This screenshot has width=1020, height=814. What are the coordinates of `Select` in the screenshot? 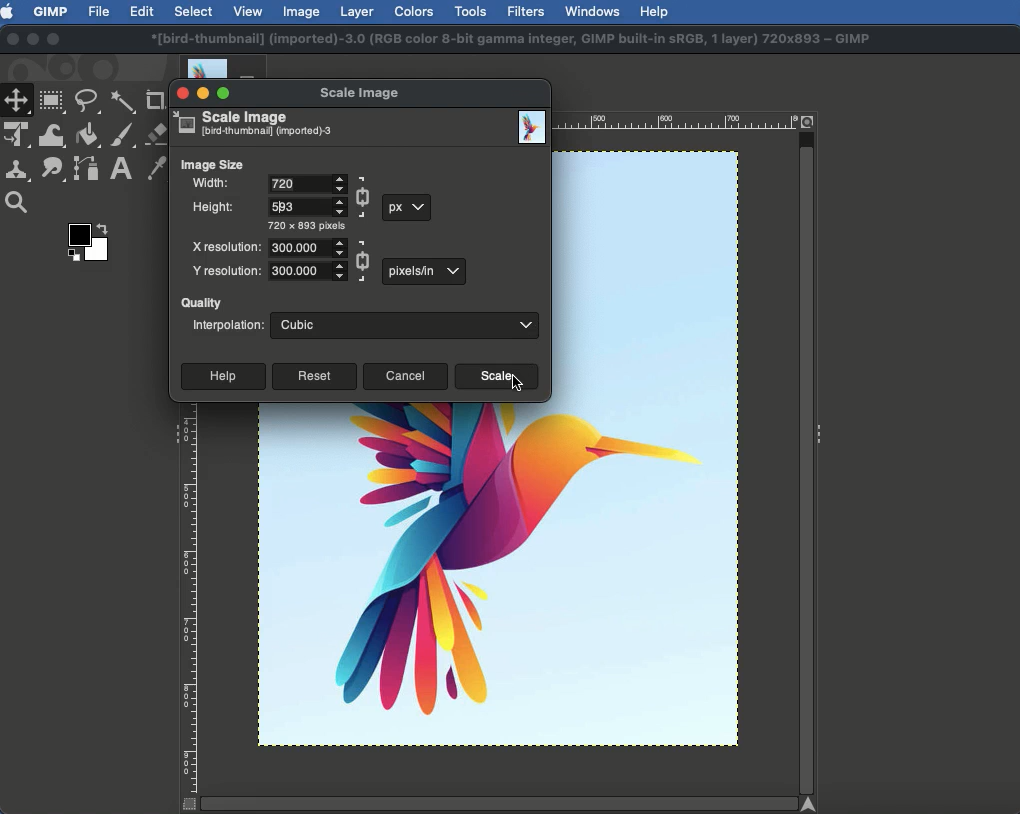 It's located at (192, 11).